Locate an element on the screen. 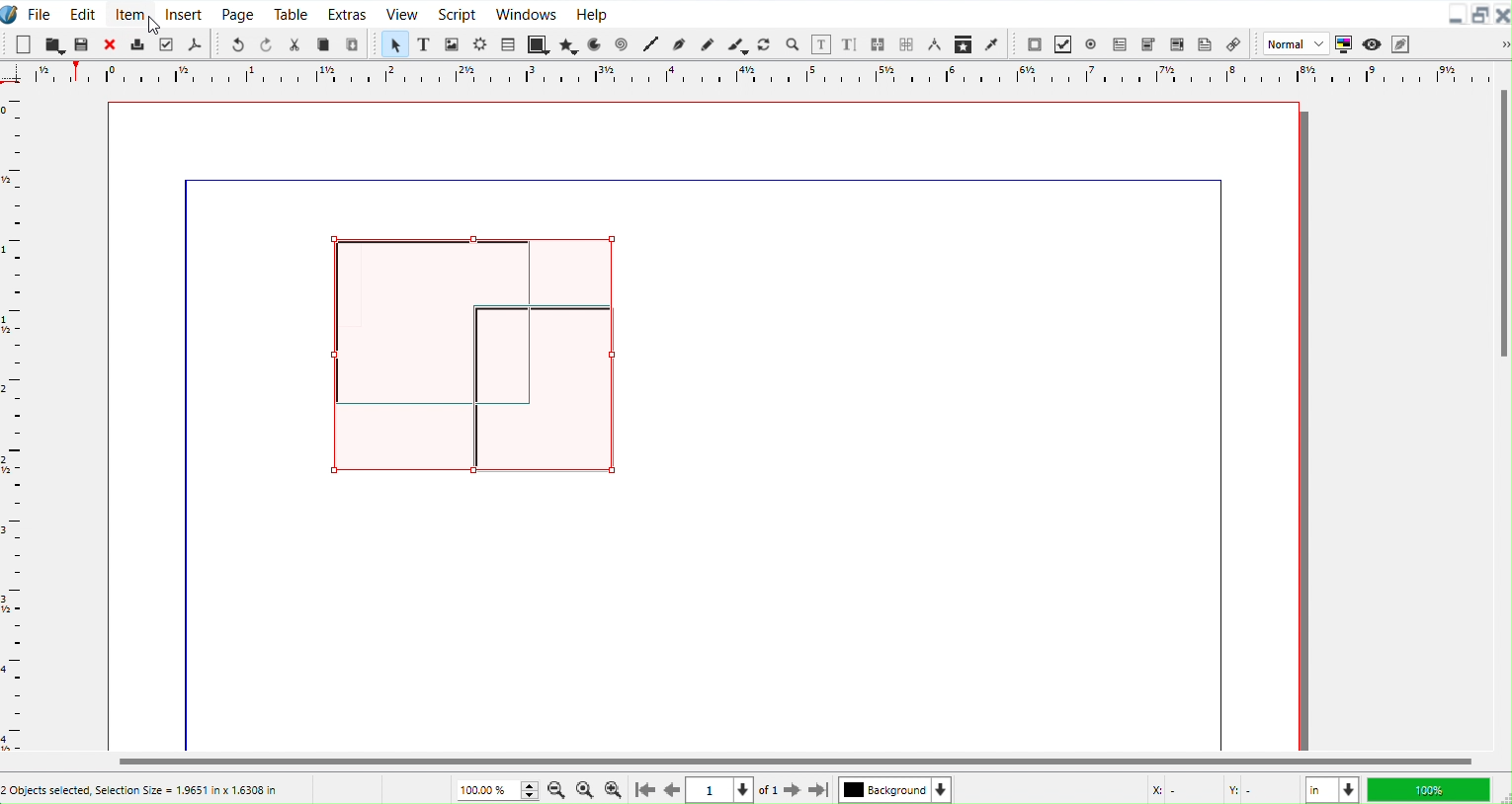 This screenshot has height=804, width=1512. Freehand line is located at coordinates (706, 43).